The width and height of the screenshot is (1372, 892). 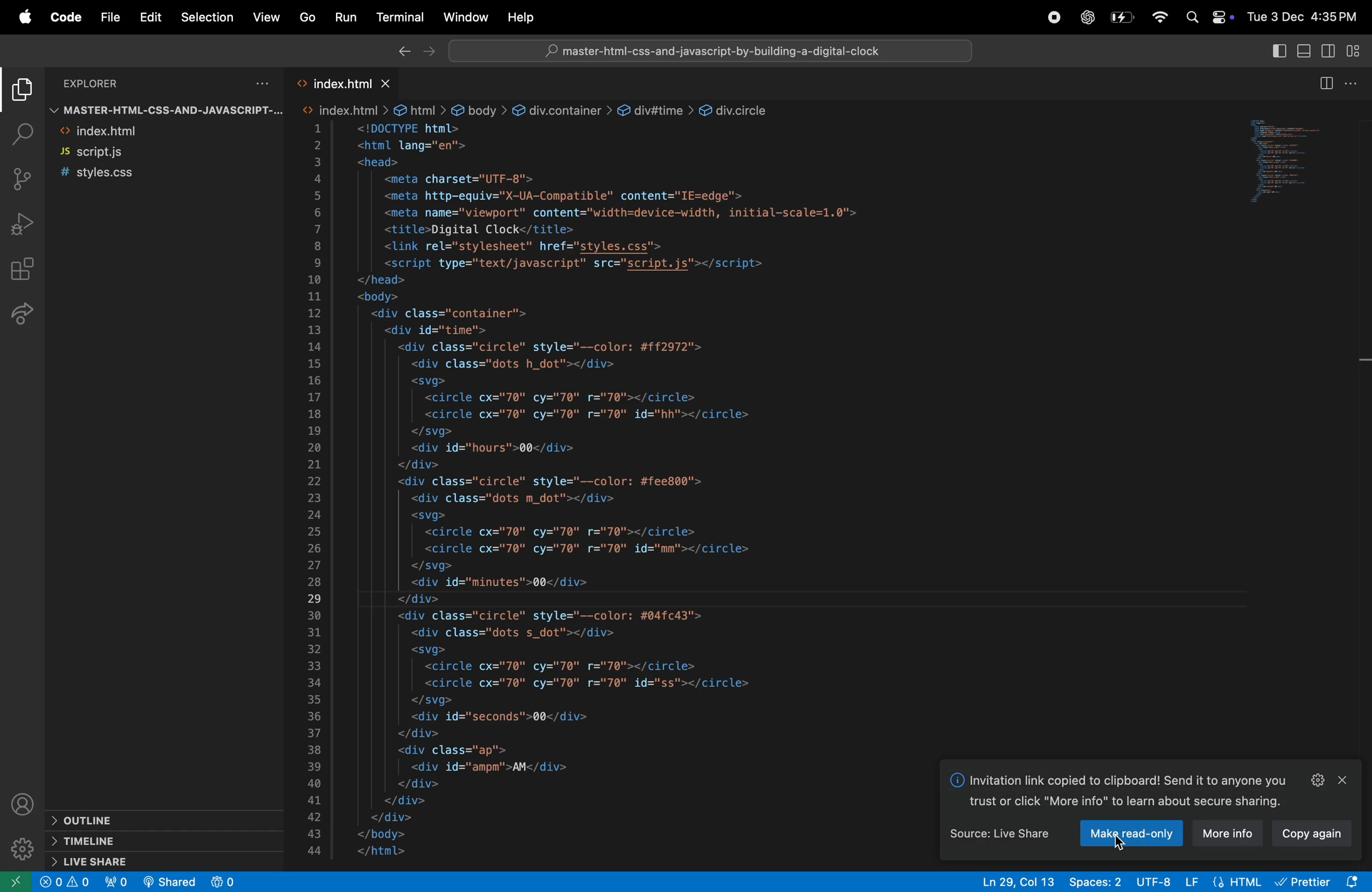 What do you see at coordinates (127, 81) in the screenshot?
I see `explorer` at bounding box center [127, 81].